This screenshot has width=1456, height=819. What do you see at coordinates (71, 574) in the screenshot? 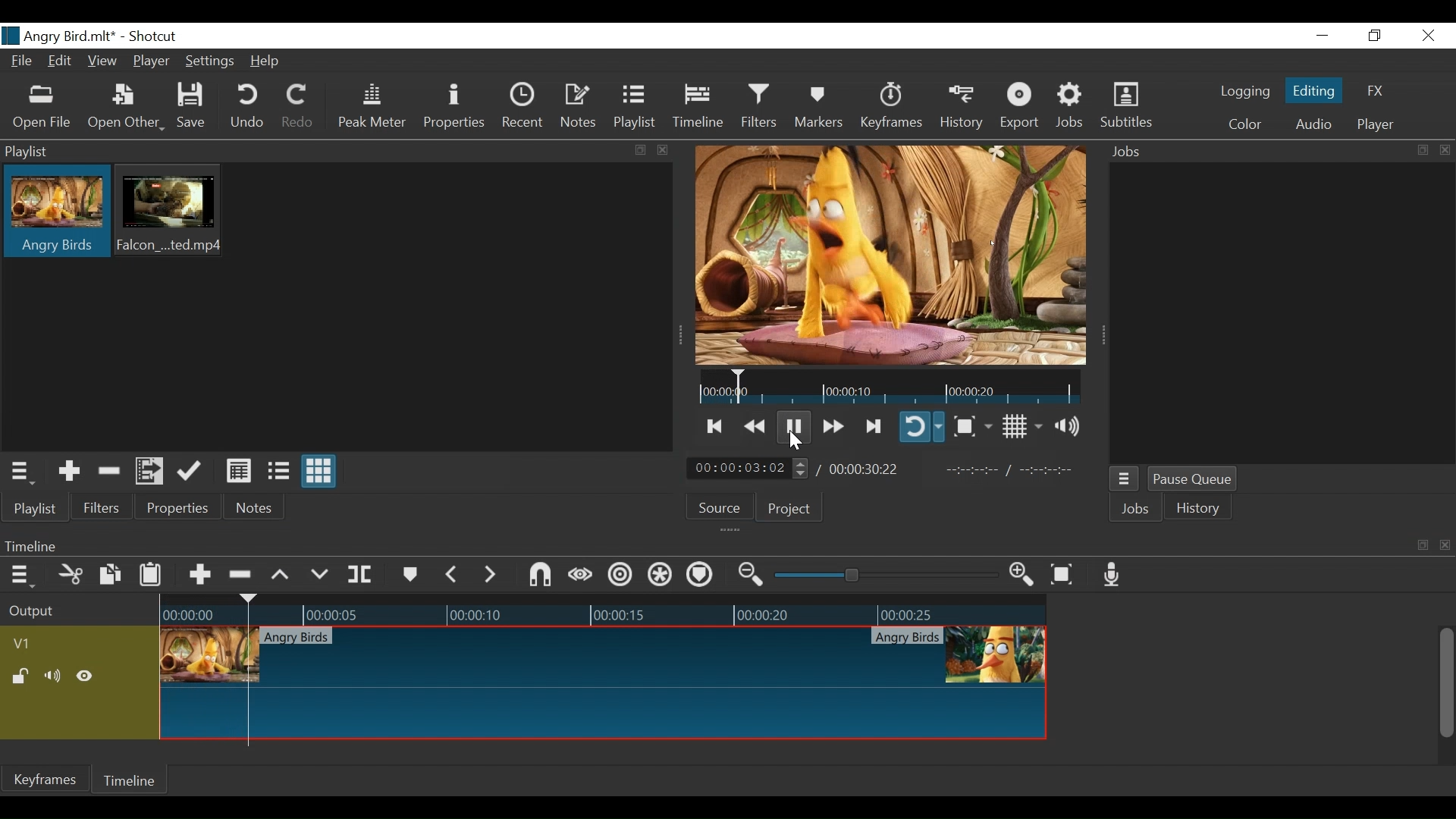
I see `Cut` at bounding box center [71, 574].